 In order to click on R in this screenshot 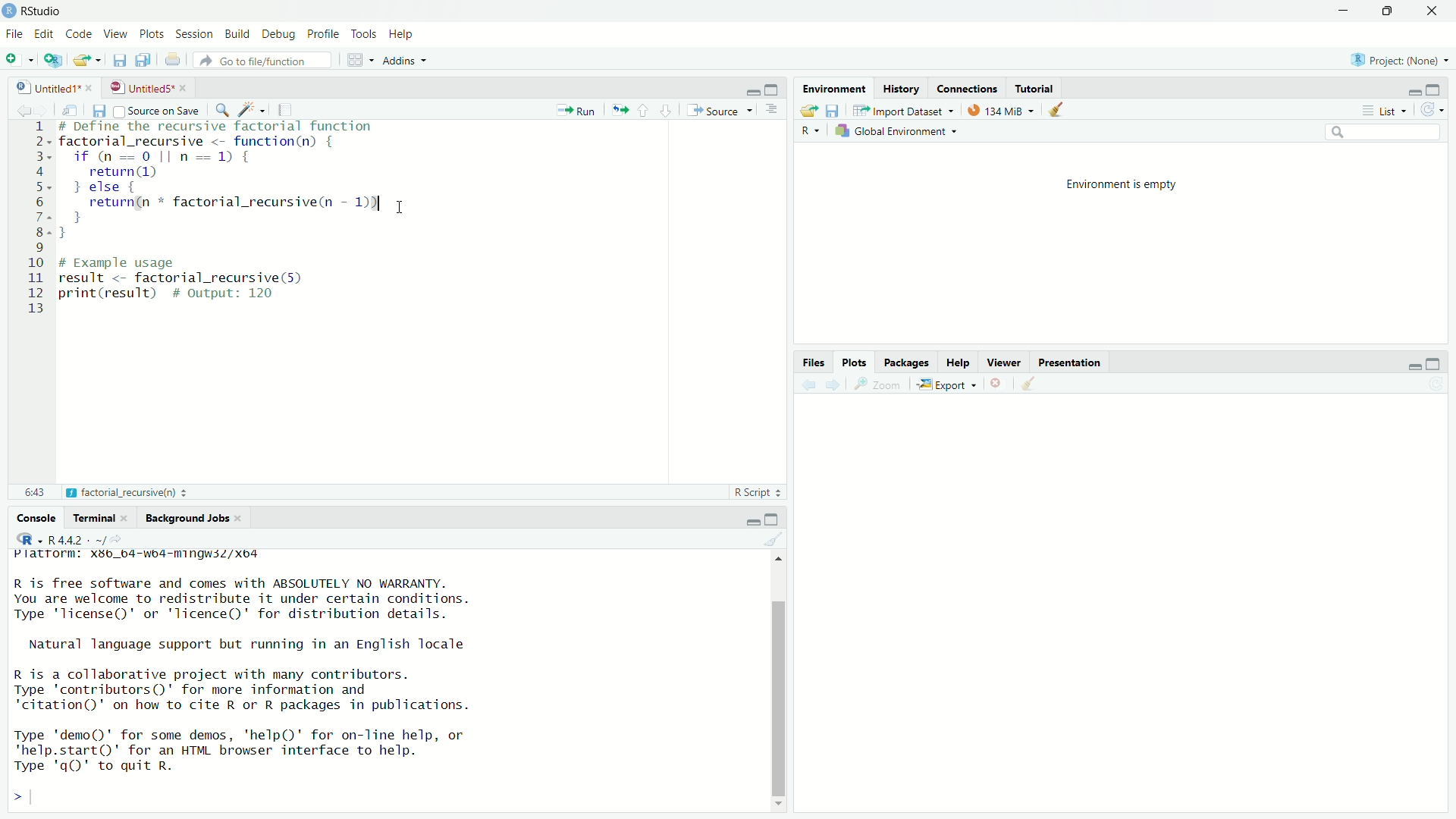, I will do `click(27, 539)`.